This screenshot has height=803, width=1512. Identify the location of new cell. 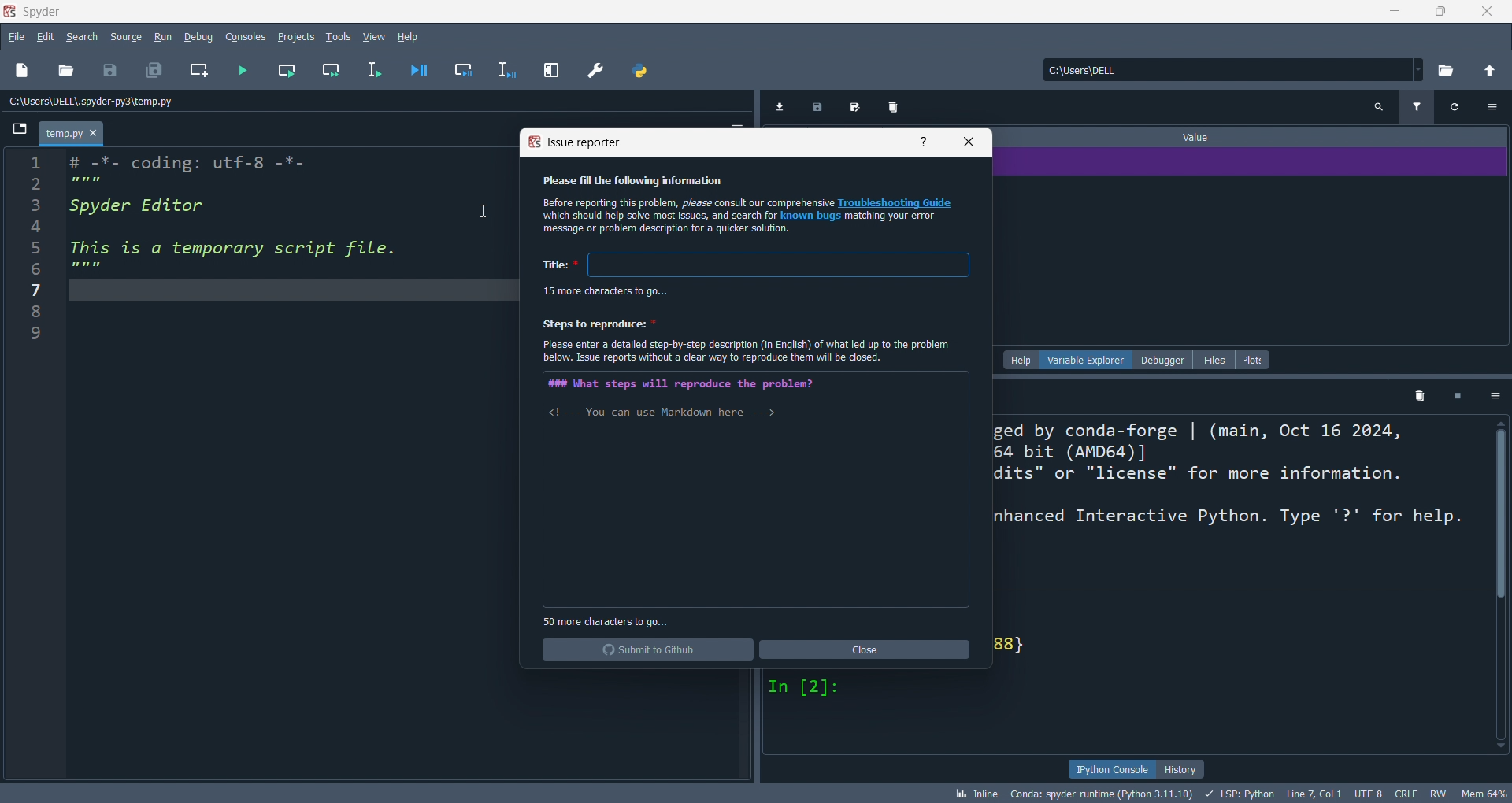
(202, 73).